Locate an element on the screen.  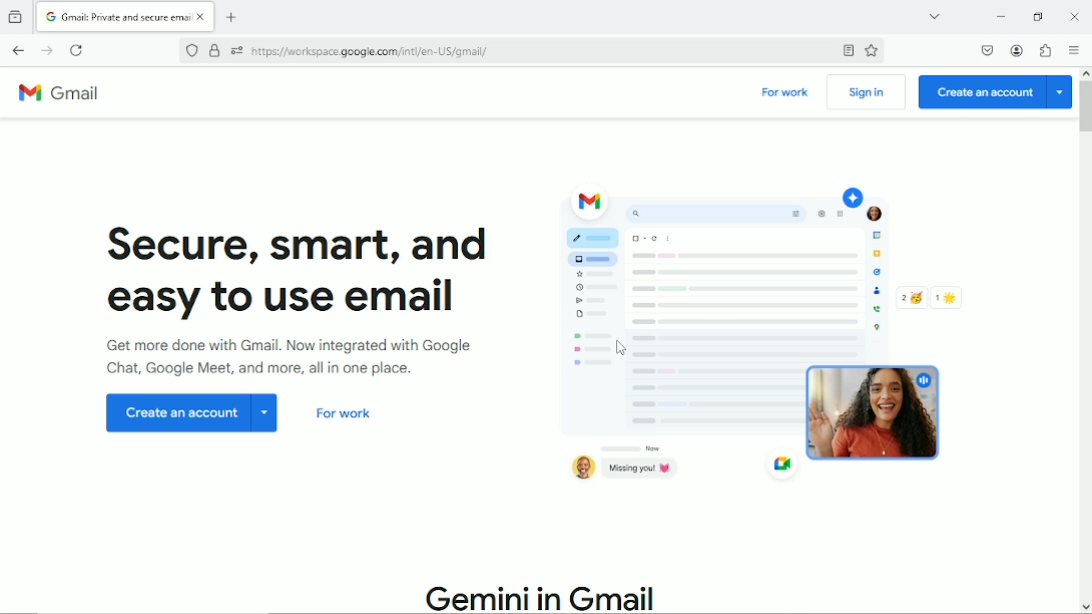
Secure, smart and easy to use email. is located at coordinates (303, 275).